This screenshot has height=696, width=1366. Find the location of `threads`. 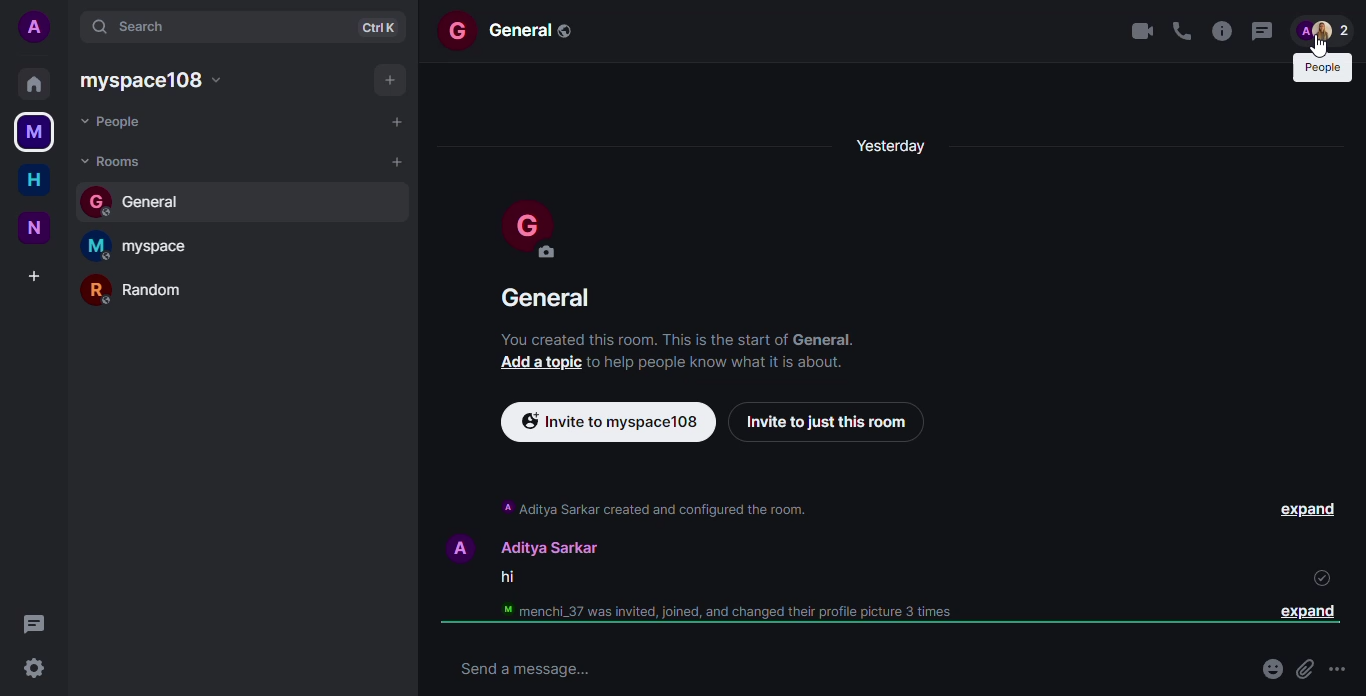

threads is located at coordinates (34, 625).